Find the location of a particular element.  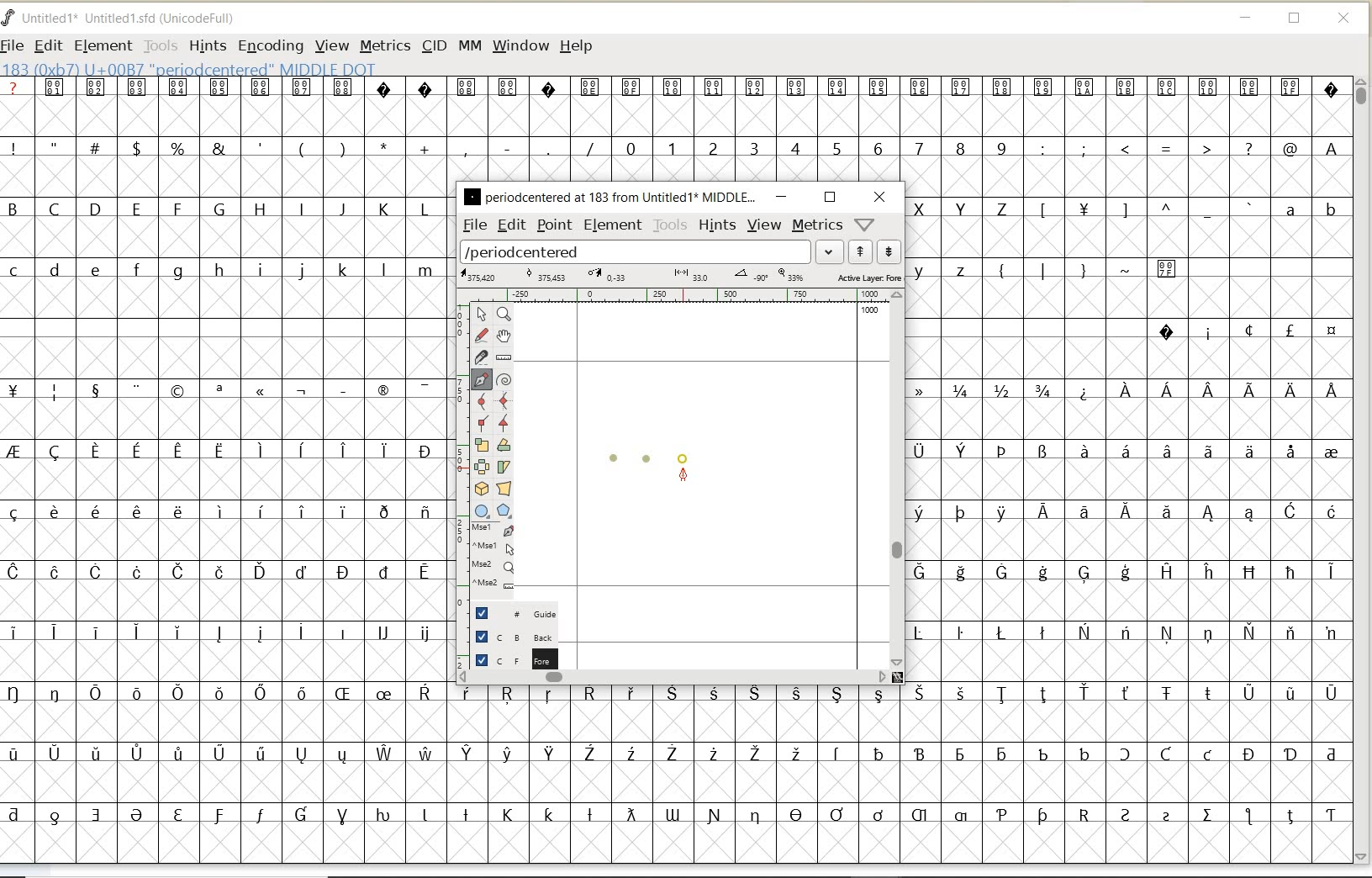

FONT NAME is located at coordinates (131, 19).